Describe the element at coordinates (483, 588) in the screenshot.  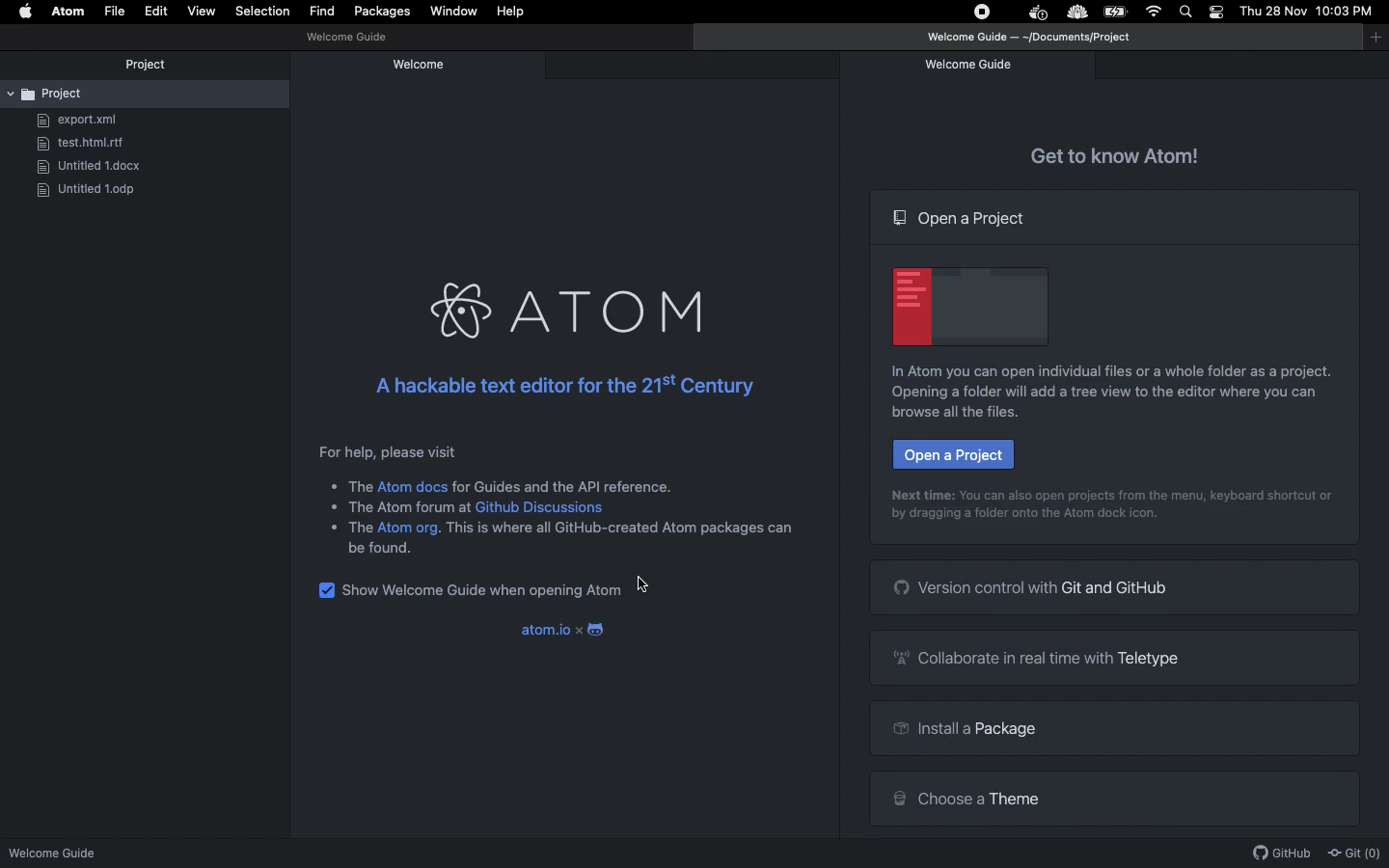
I see `Show welcome guide when opening Atom` at that location.